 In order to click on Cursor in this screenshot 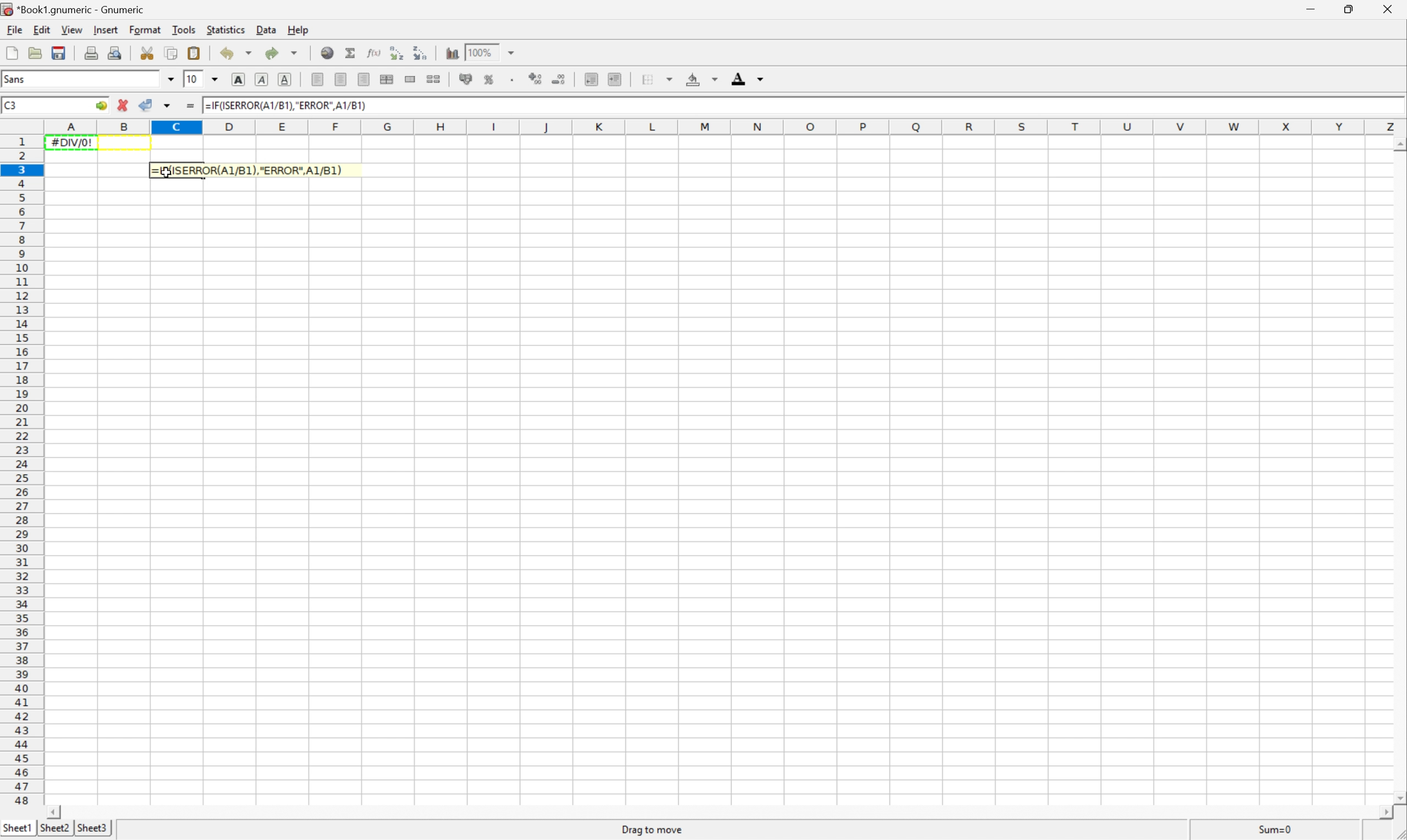, I will do `click(168, 172)`.